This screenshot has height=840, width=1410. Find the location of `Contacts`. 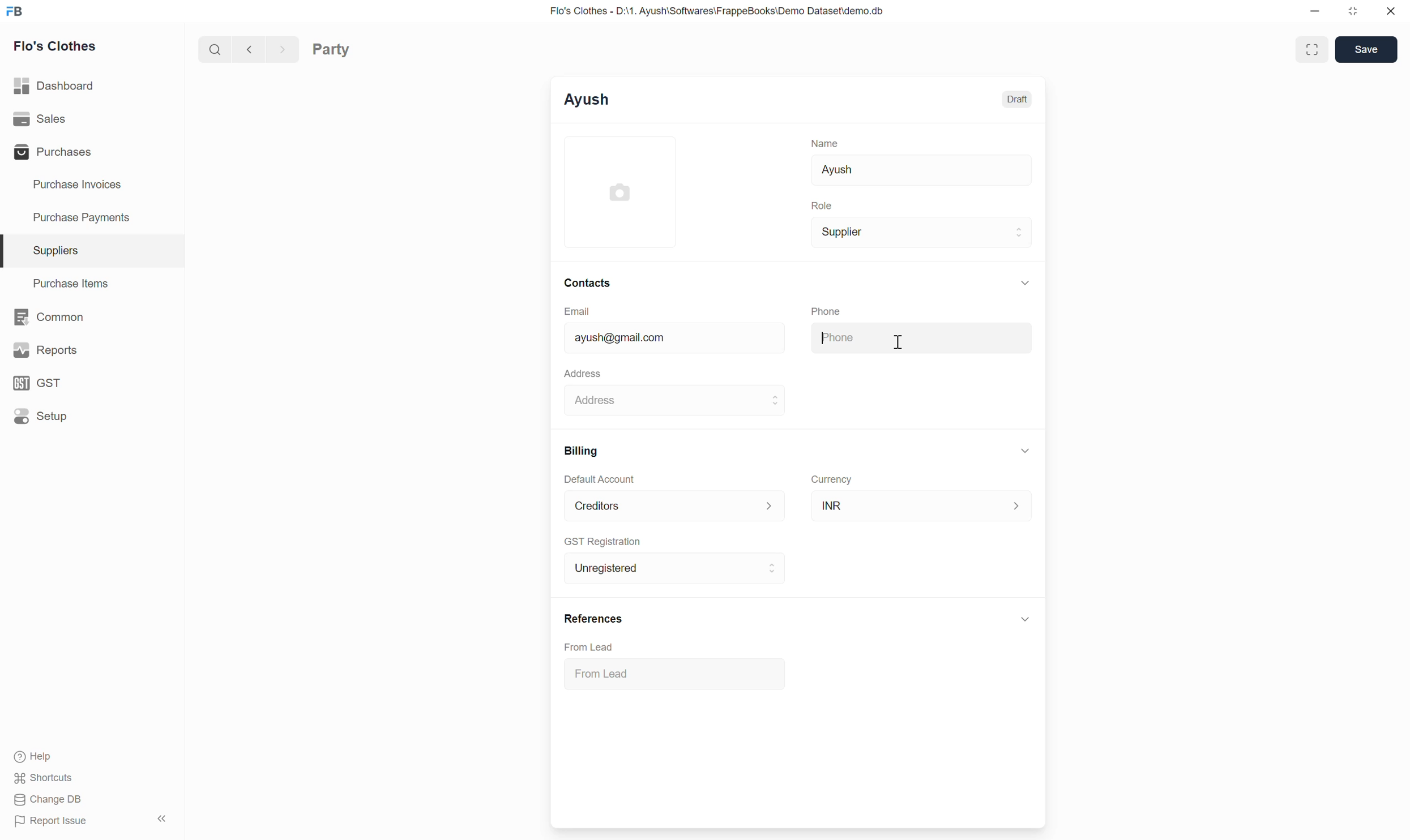

Contacts is located at coordinates (588, 283).